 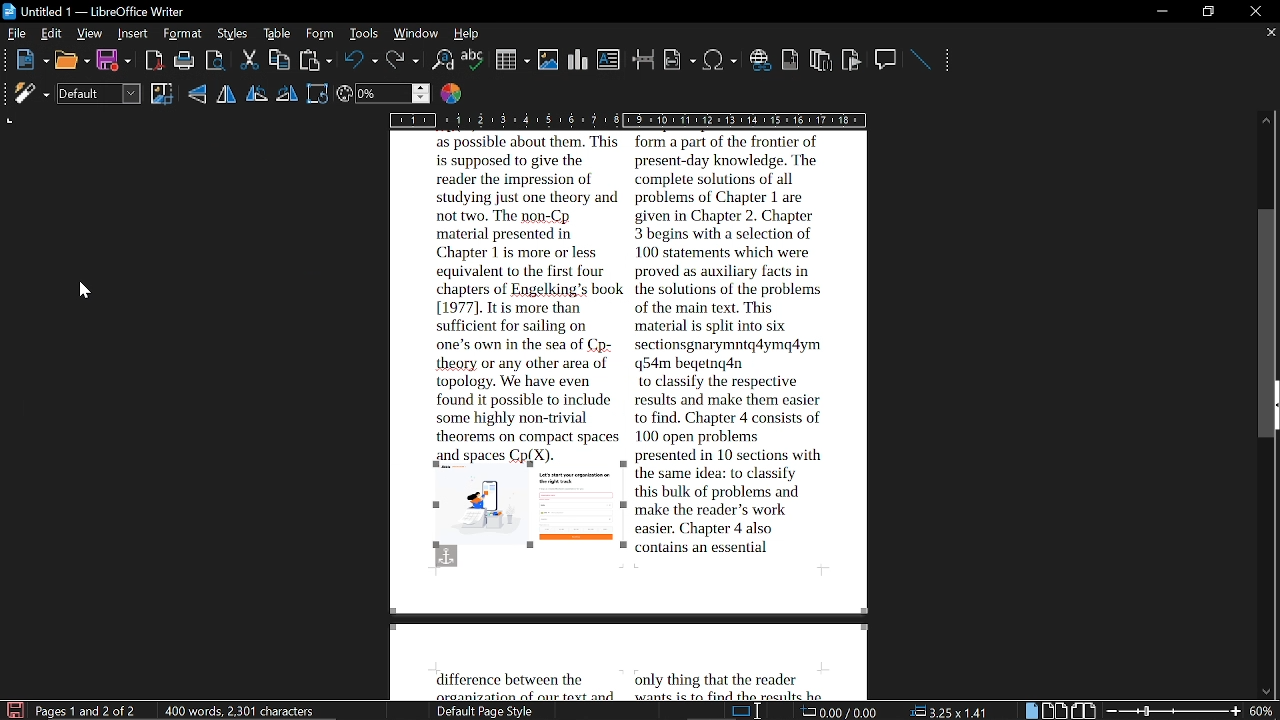 What do you see at coordinates (162, 95) in the screenshot?
I see `crop` at bounding box center [162, 95].